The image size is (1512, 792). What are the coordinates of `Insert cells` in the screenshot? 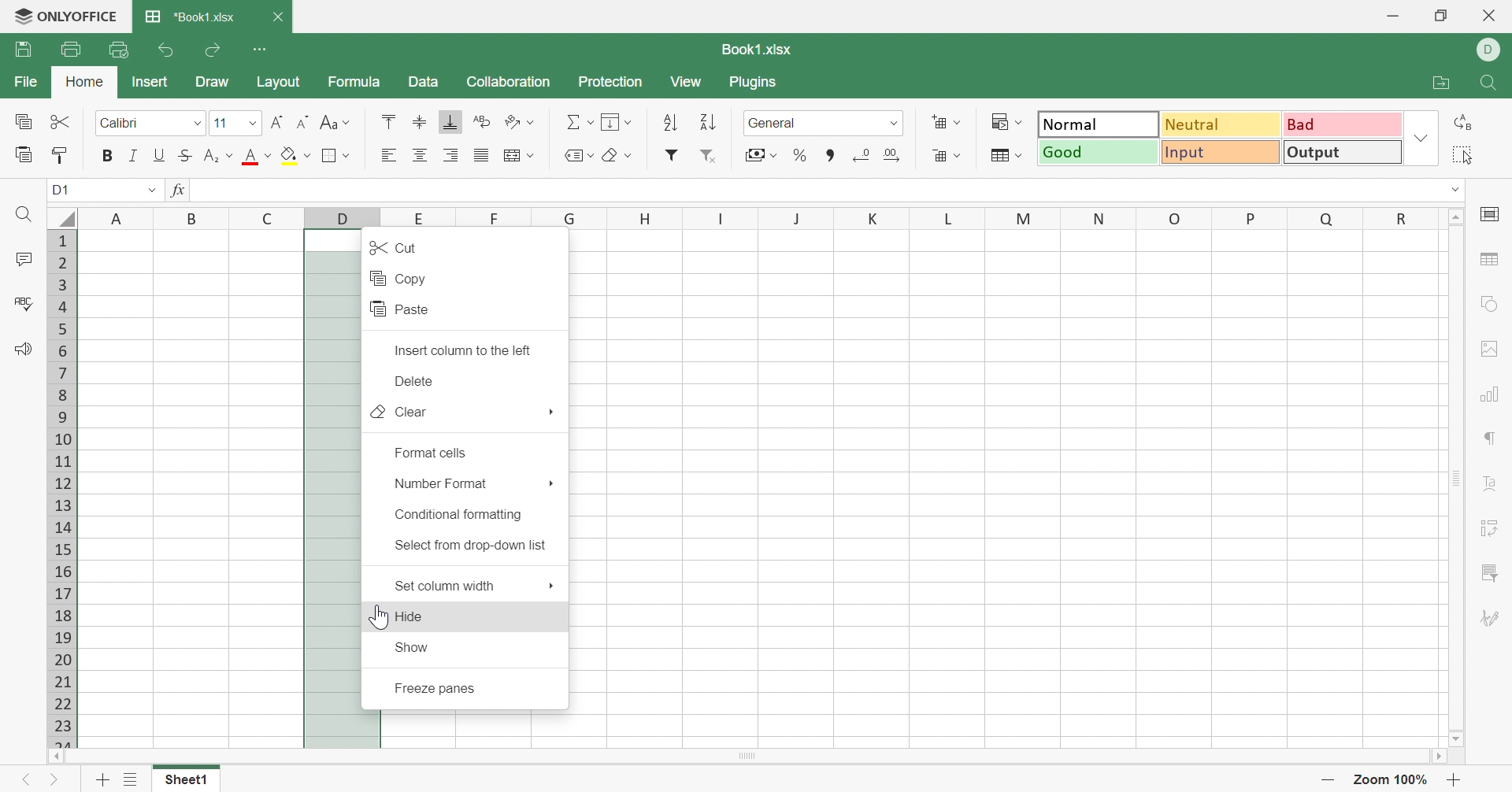 It's located at (938, 120).